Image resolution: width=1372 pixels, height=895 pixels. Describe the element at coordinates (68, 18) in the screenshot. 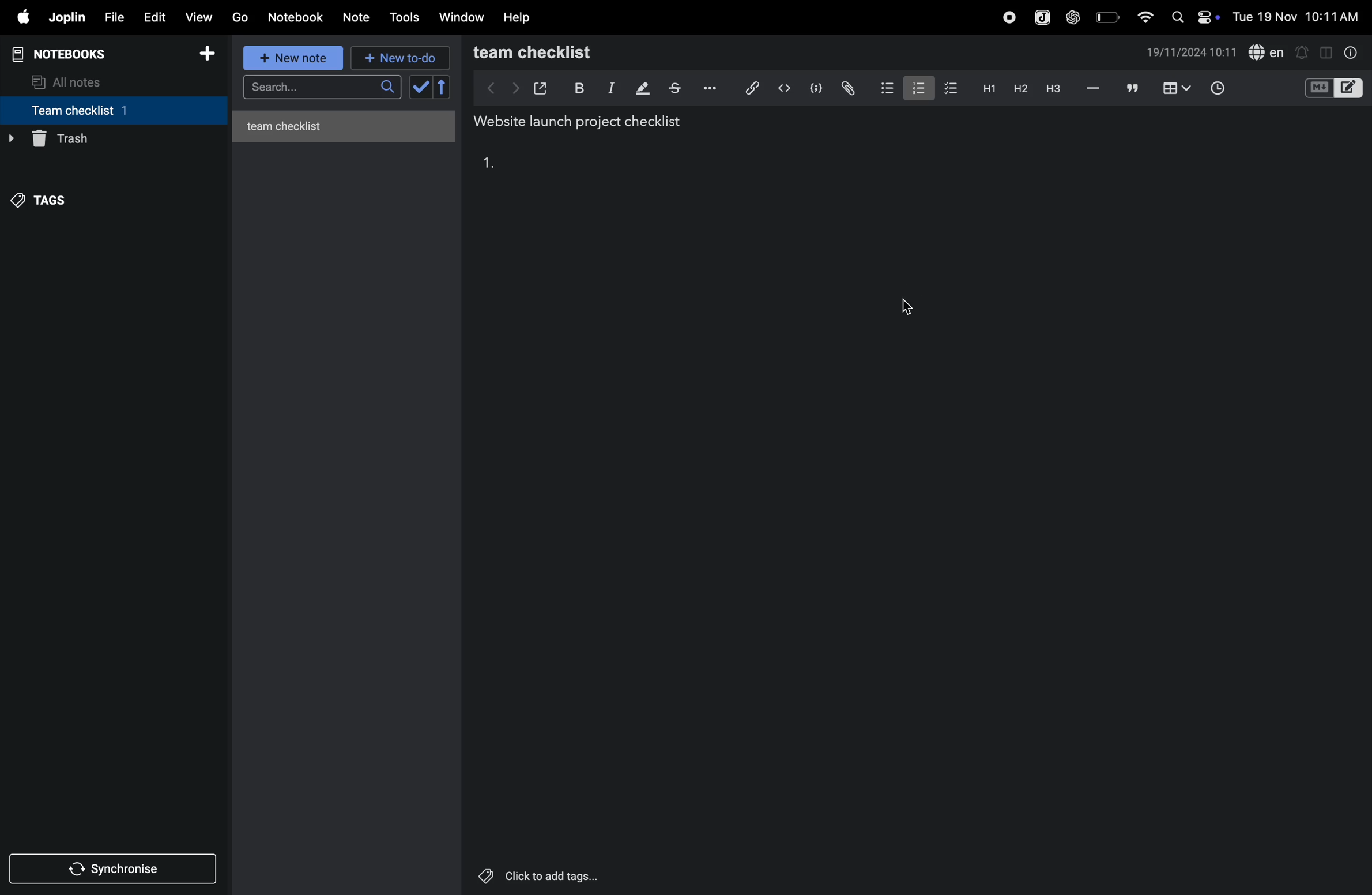

I see `joplin` at that location.